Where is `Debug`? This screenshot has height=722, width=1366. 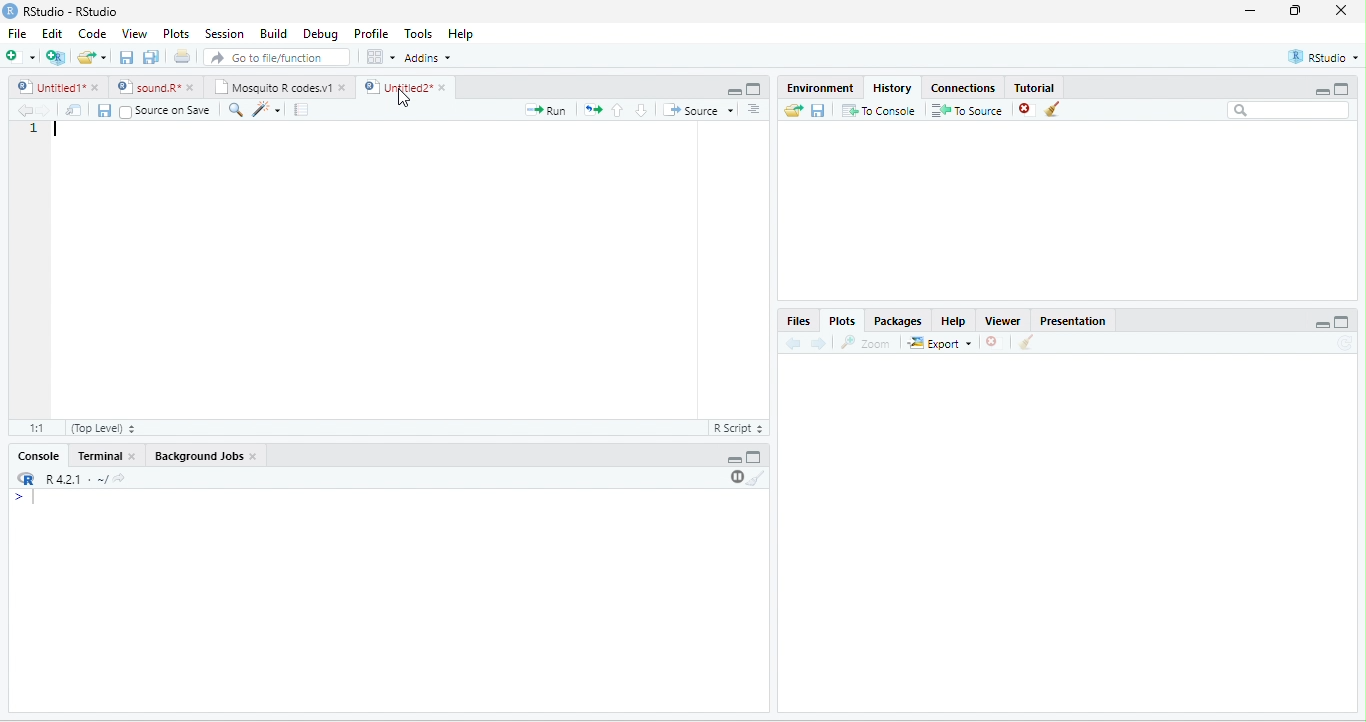
Debug is located at coordinates (324, 35).